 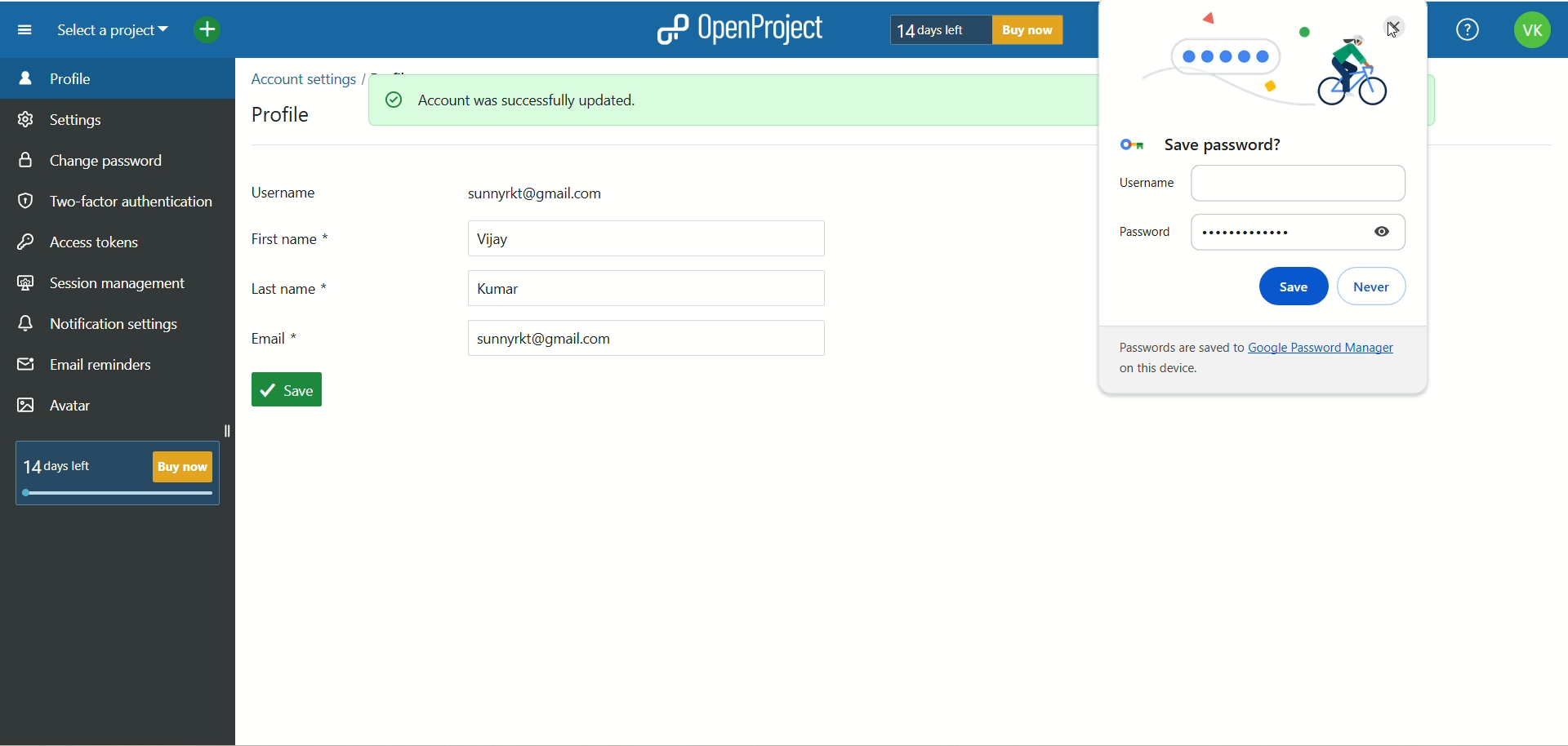 I want to click on ussername, so click(x=510, y=191).